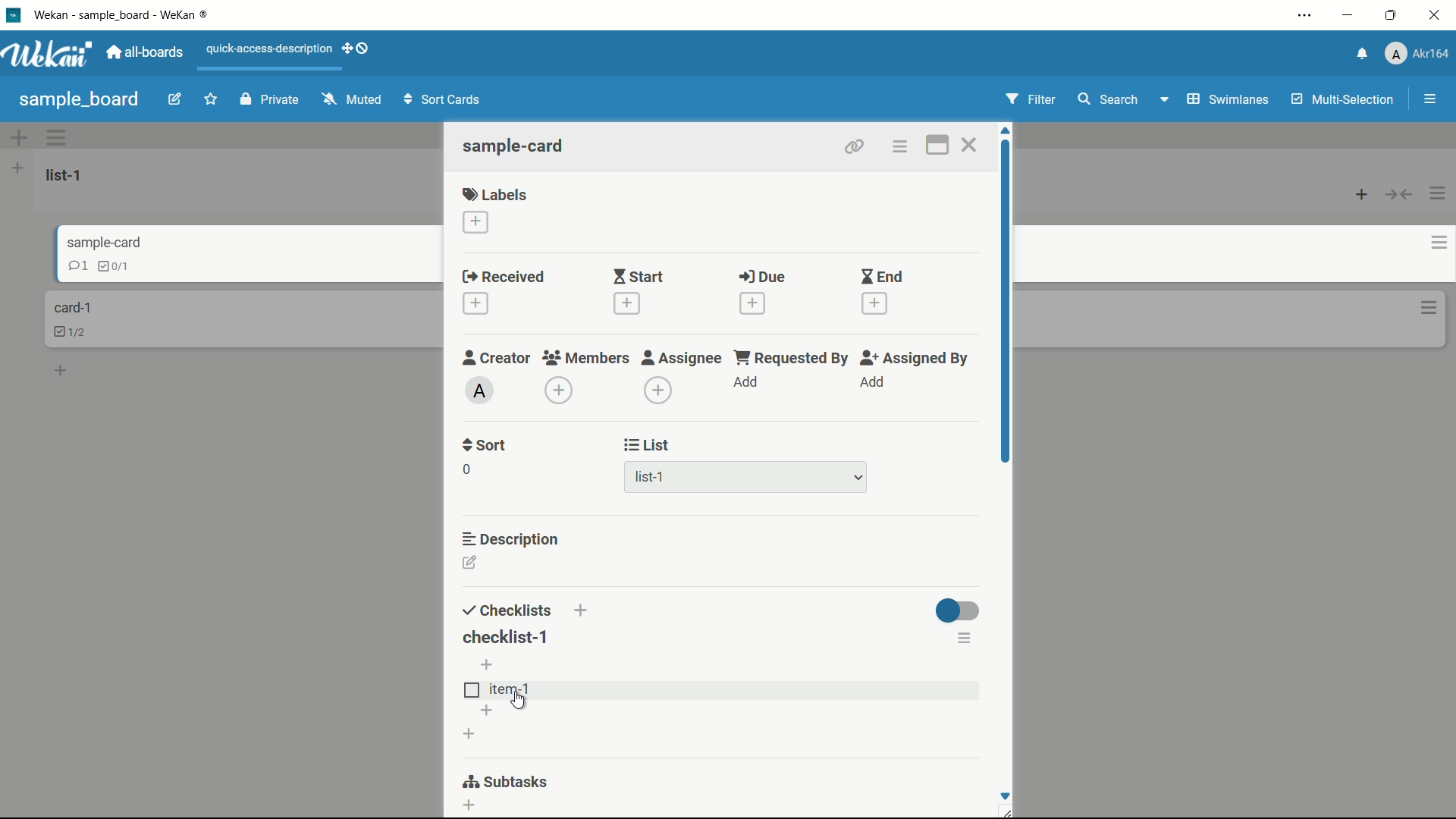 This screenshot has width=1456, height=819. Describe the element at coordinates (495, 193) in the screenshot. I see `labels` at that location.